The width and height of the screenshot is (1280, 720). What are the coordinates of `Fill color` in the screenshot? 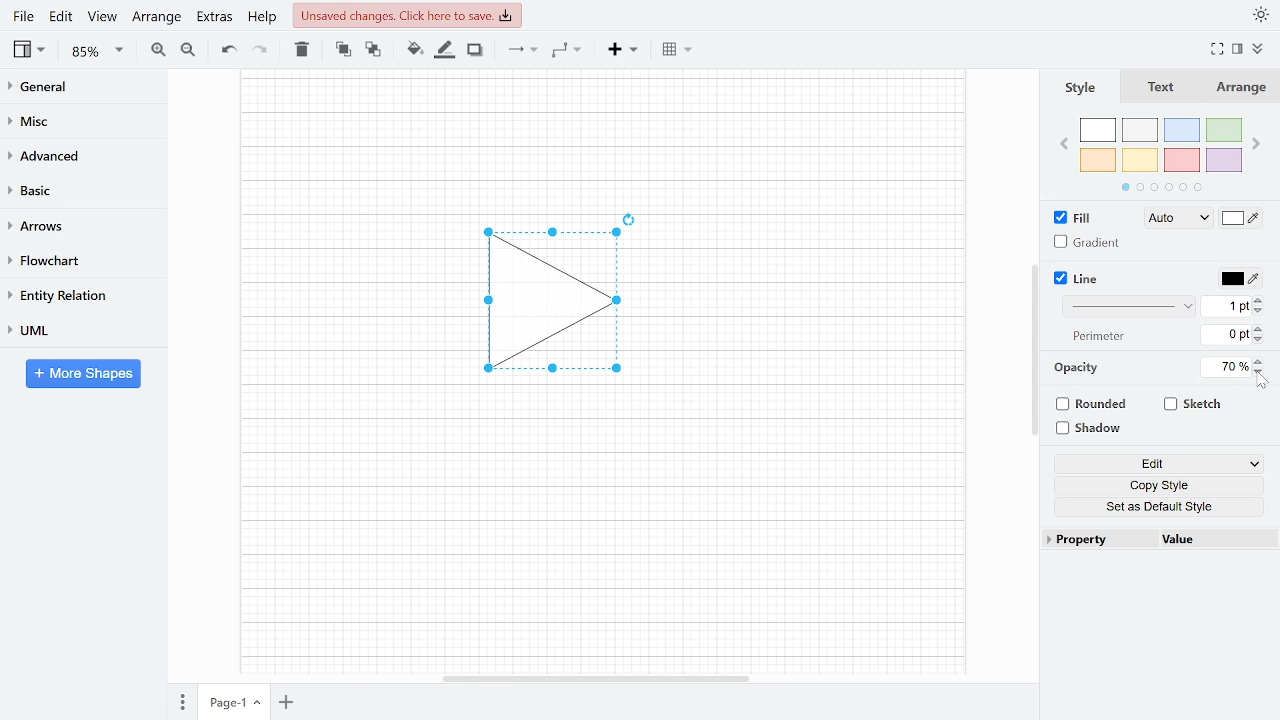 It's located at (1242, 220).